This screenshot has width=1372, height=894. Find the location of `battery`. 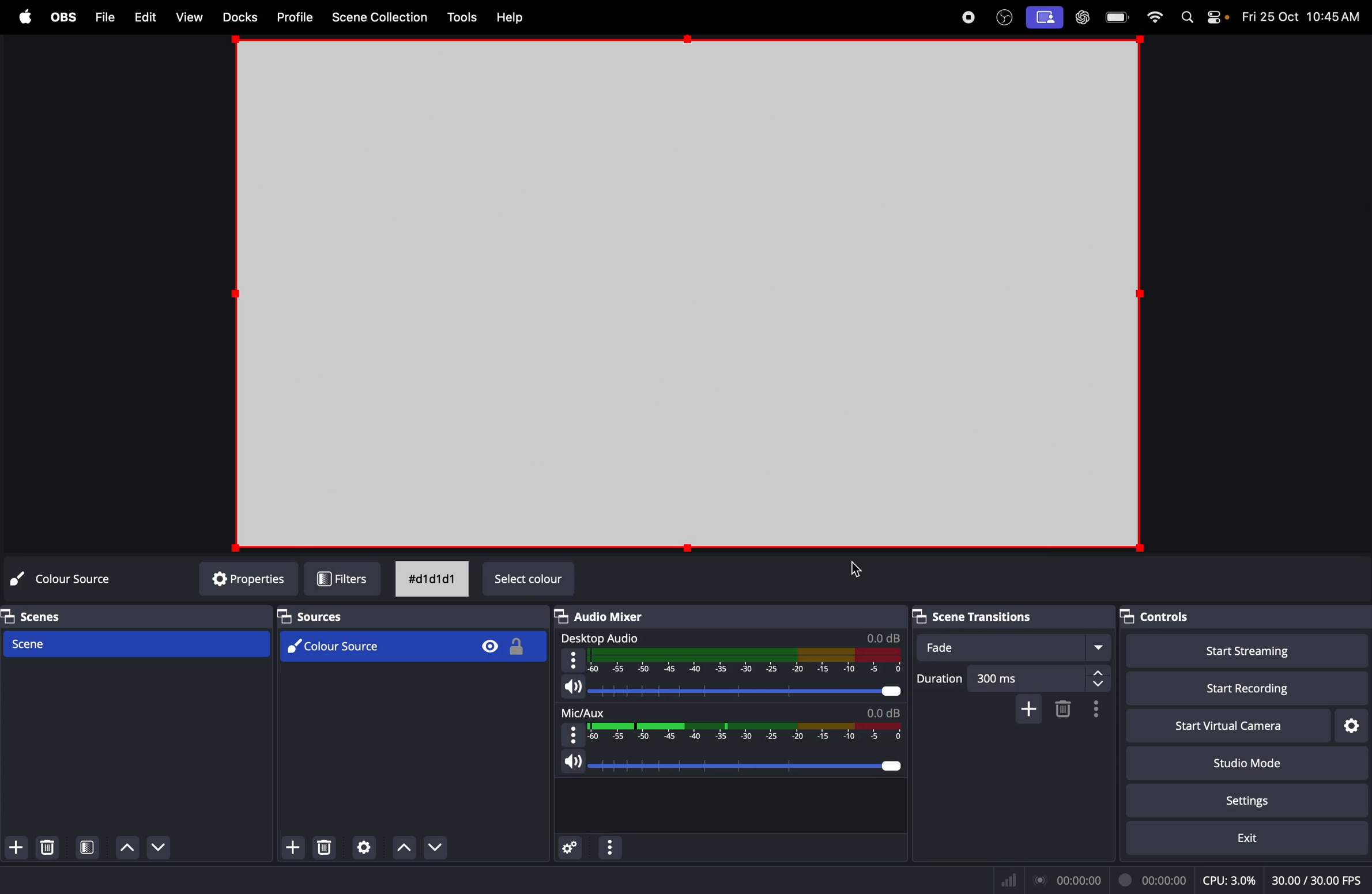

battery is located at coordinates (1120, 17).